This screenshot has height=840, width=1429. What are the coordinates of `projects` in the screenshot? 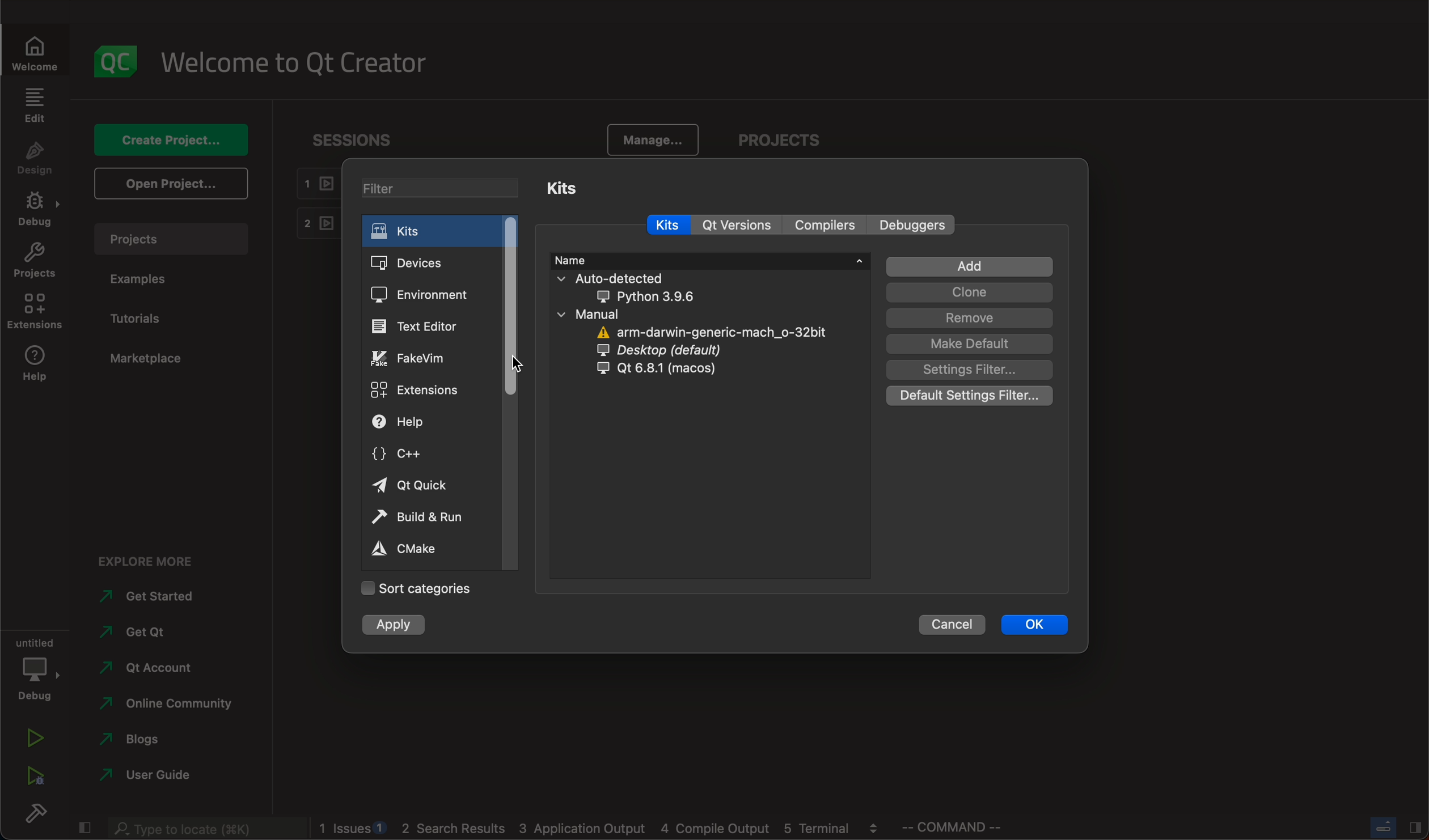 It's located at (789, 141).